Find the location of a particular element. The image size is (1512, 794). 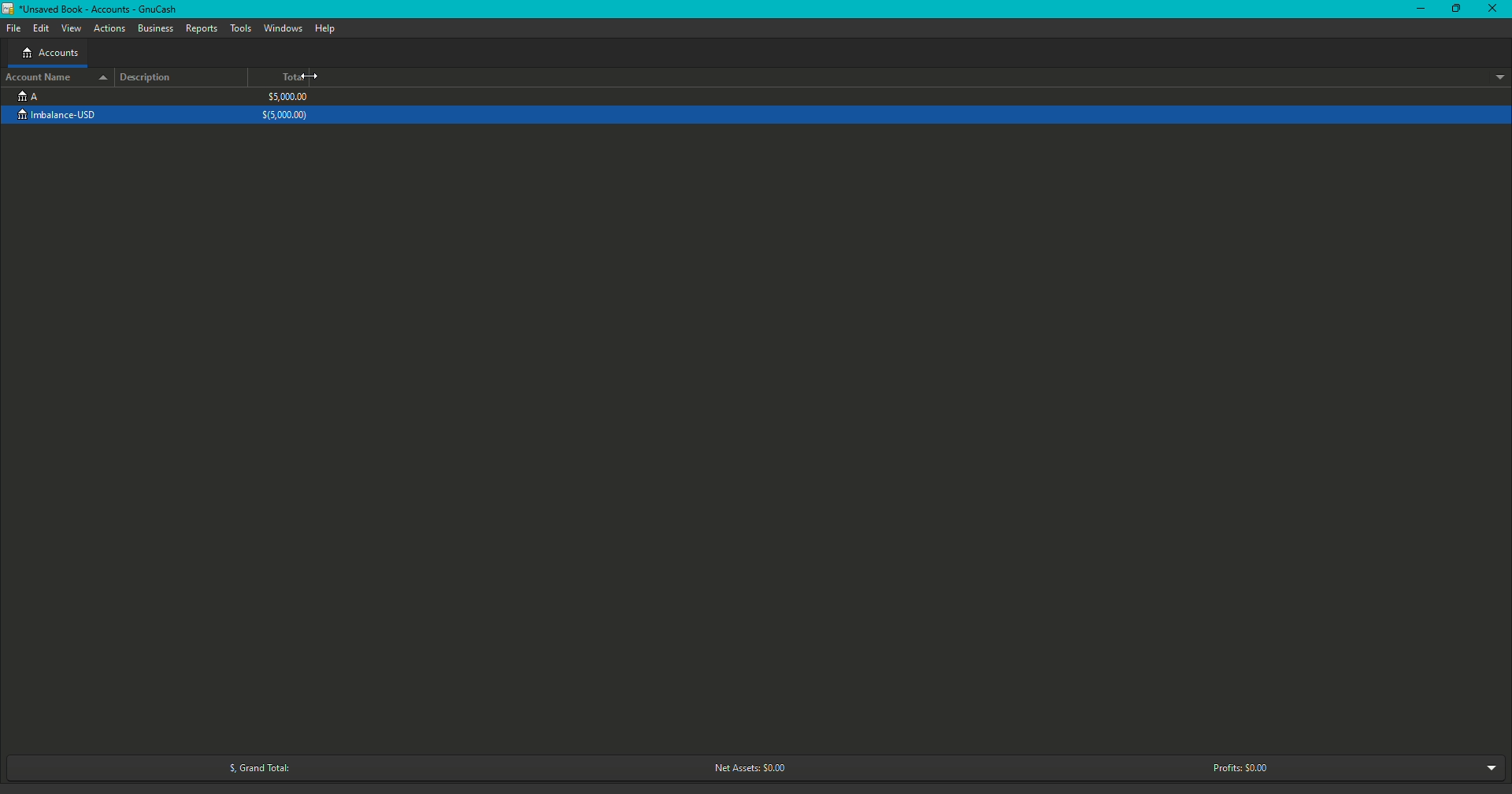

Account Name is located at coordinates (55, 76).